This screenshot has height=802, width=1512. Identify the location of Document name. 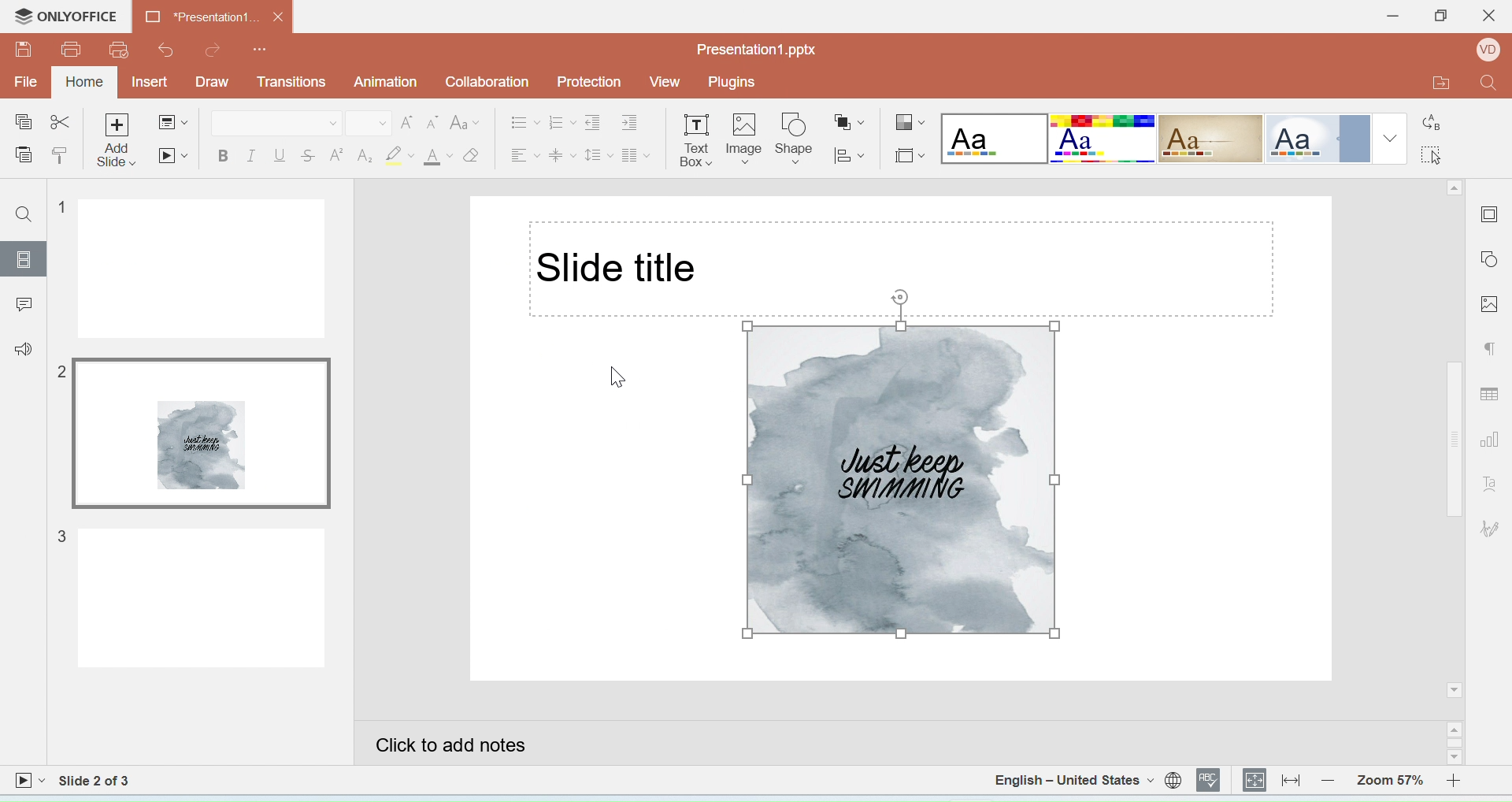
(213, 16).